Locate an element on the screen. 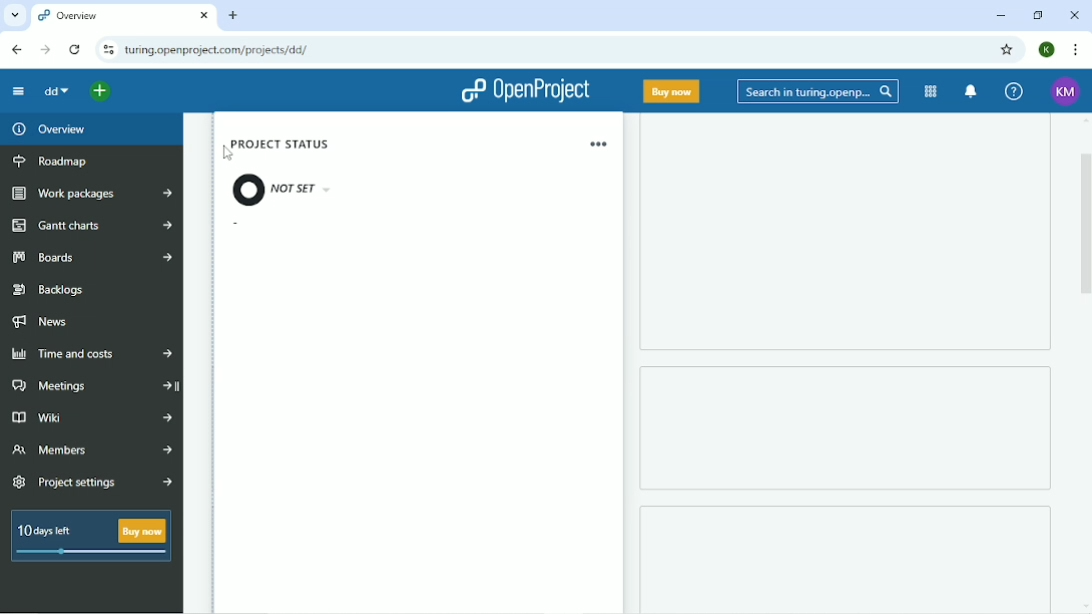 The width and height of the screenshot is (1092, 614). Wiki is located at coordinates (90, 419).